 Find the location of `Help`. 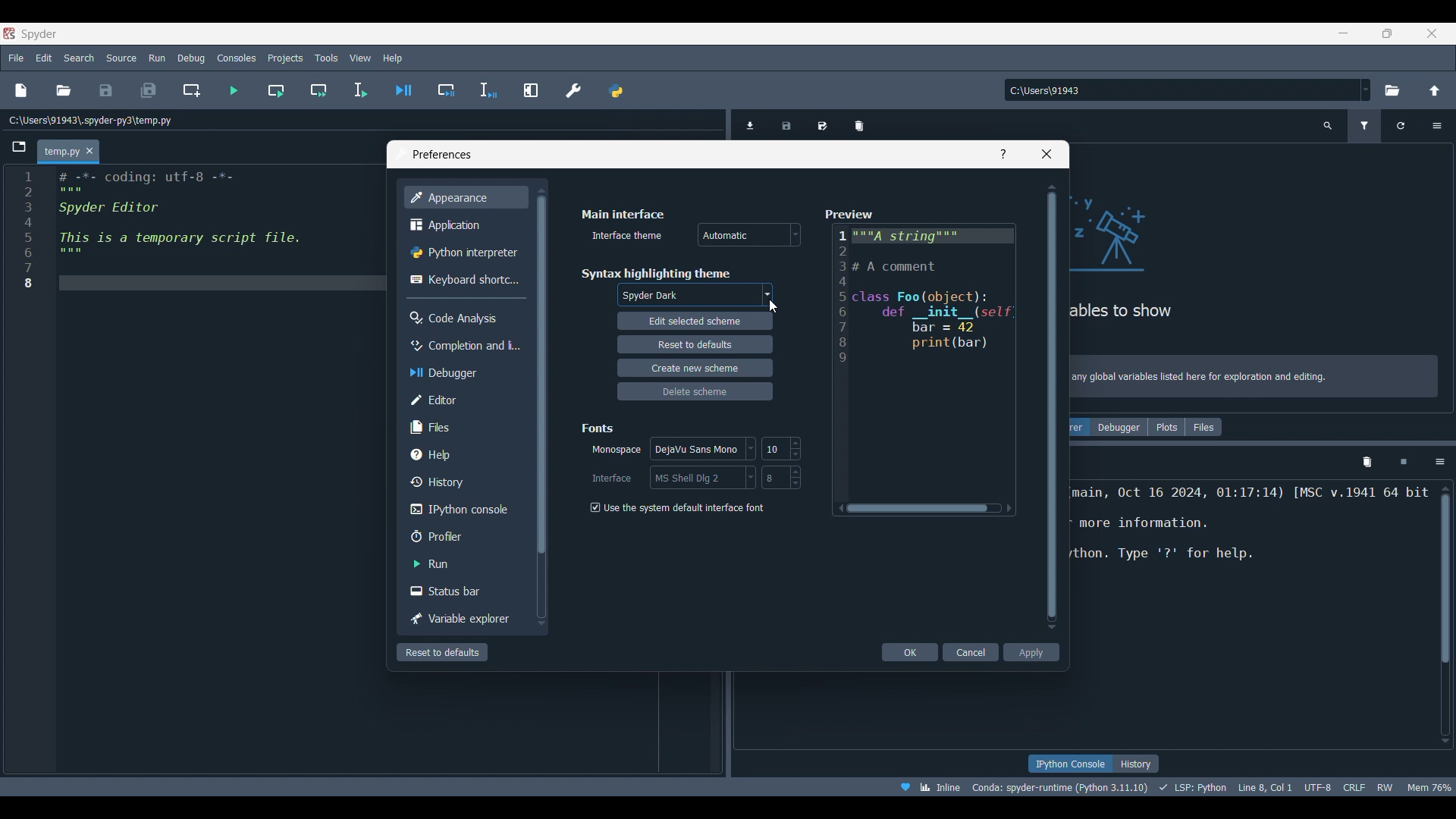

Help is located at coordinates (1003, 154).